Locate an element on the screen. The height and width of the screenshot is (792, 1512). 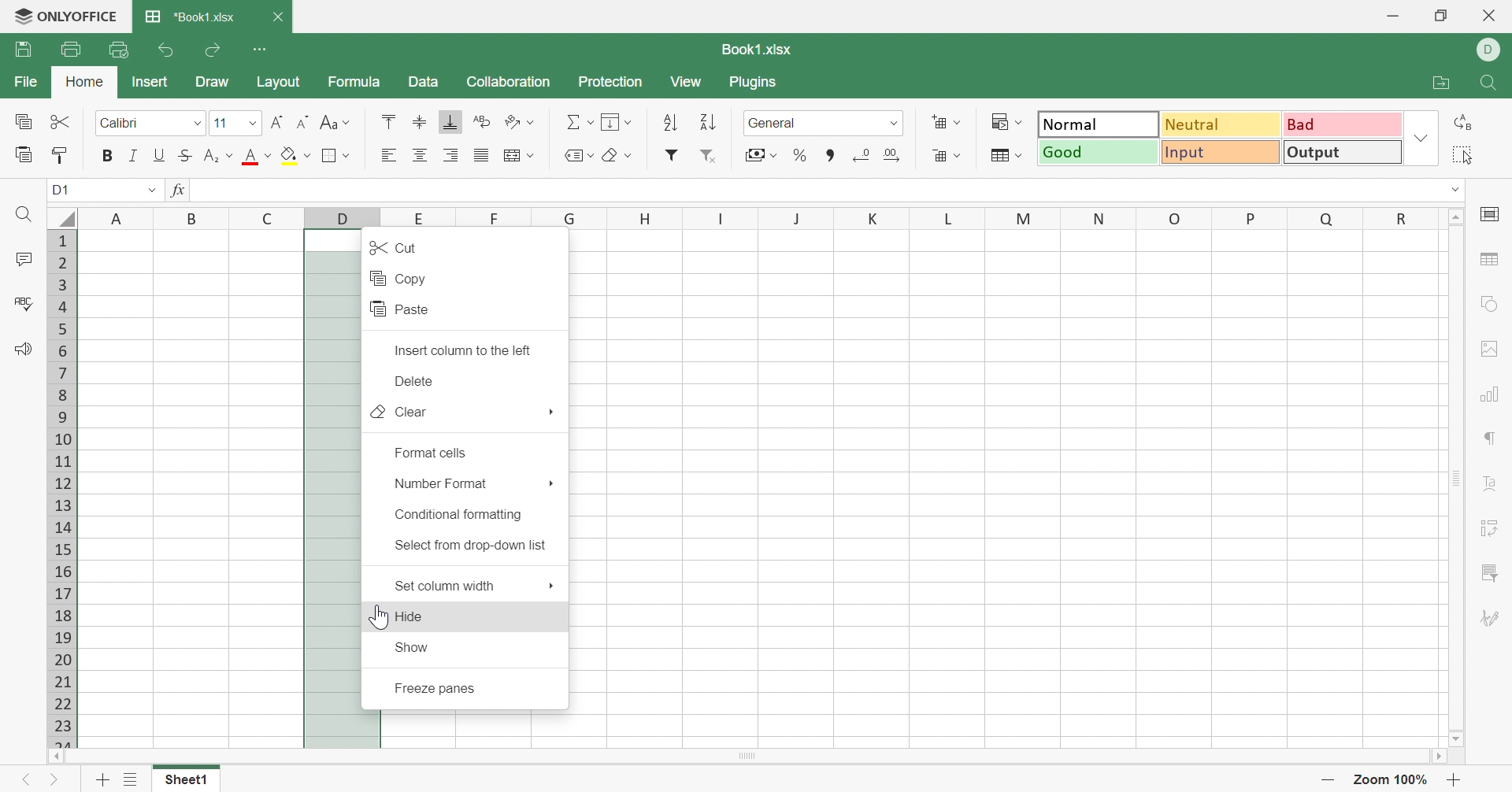
Paragraph settings is located at coordinates (1492, 437).